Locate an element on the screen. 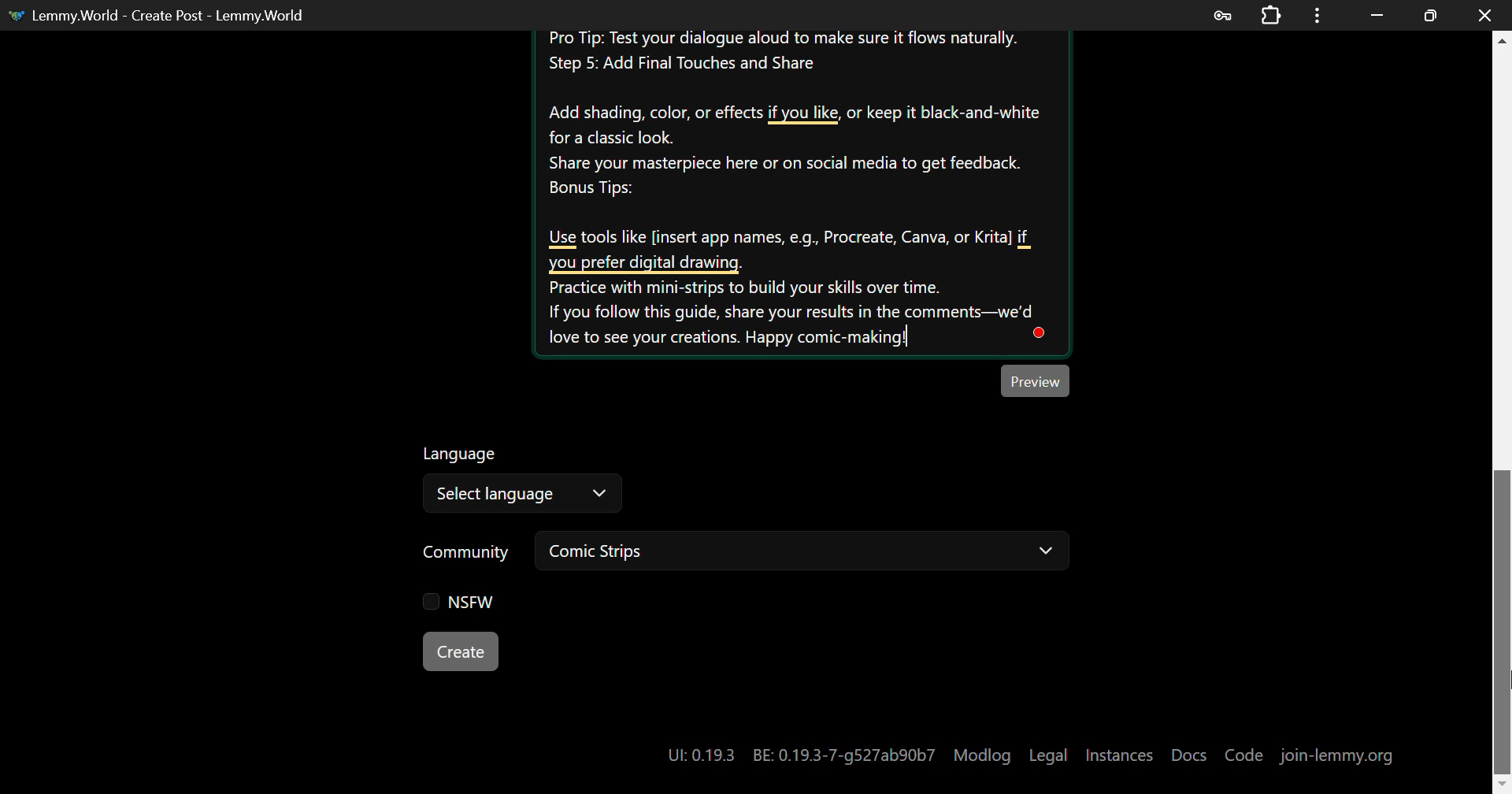  Minimize is located at coordinates (1433, 15).